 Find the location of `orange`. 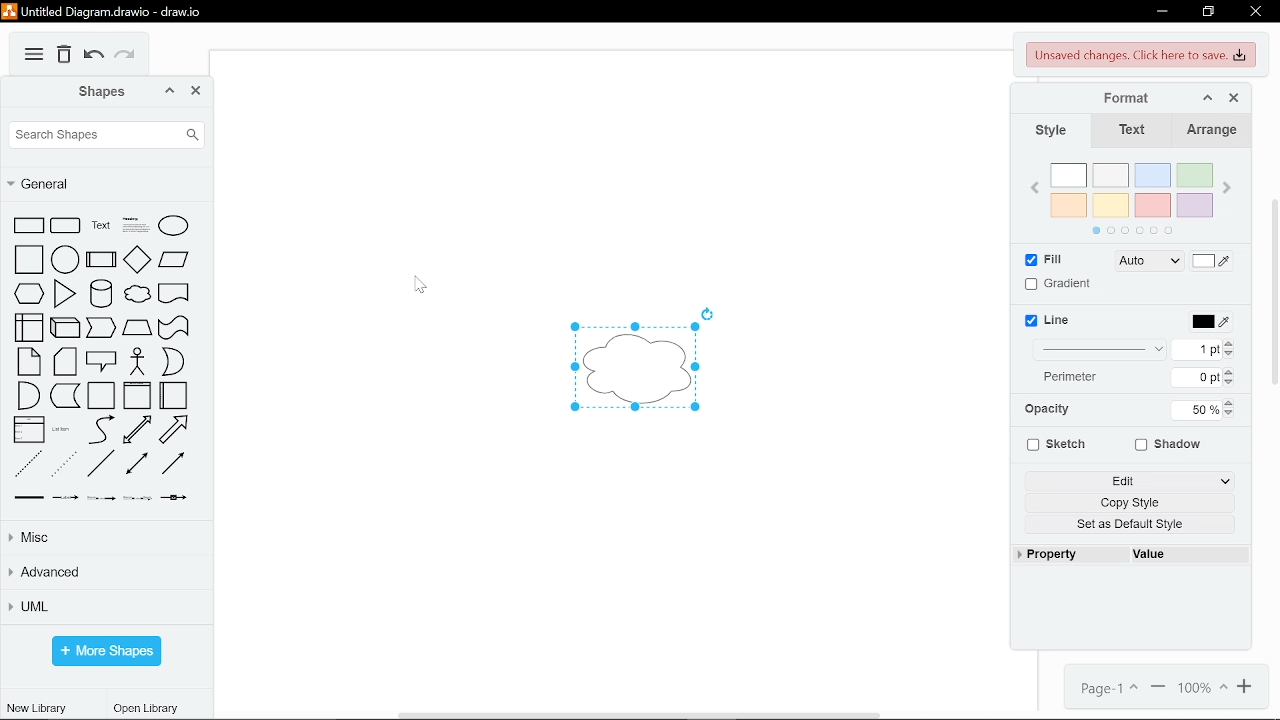

orange is located at coordinates (1069, 205).